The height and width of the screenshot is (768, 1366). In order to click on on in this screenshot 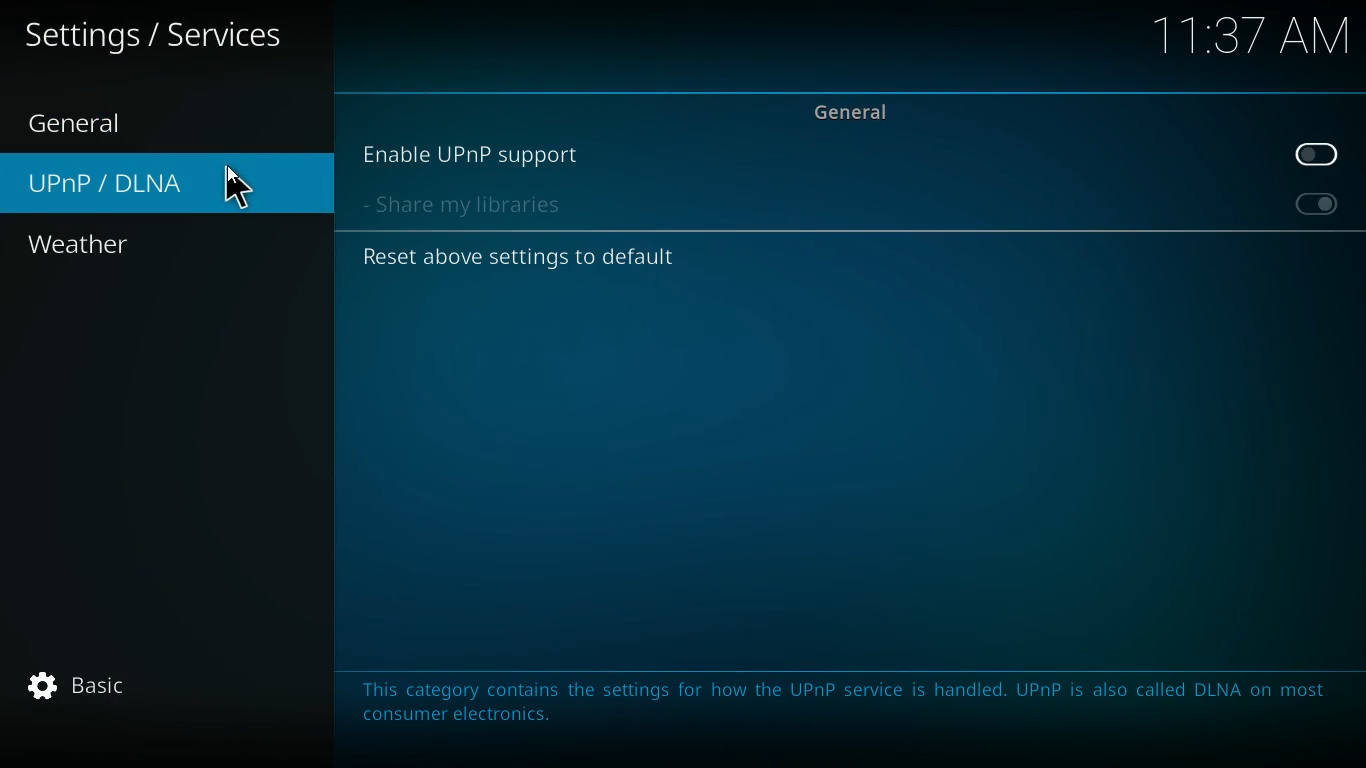, I will do `click(1313, 207)`.